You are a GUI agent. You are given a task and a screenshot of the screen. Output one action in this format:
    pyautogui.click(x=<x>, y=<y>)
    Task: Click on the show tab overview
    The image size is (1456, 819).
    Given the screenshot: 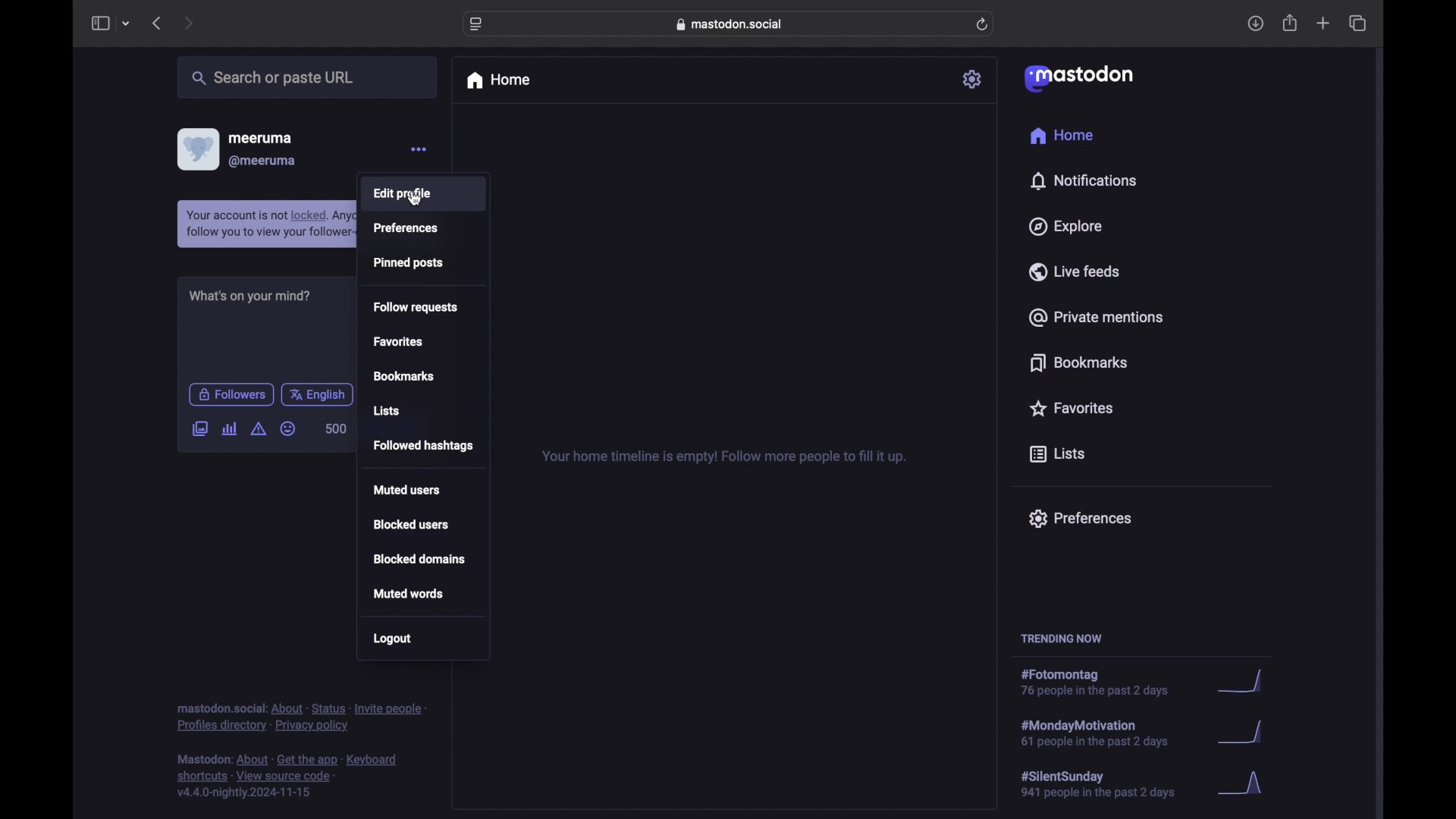 What is the action you would take?
    pyautogui.click(x=1357, y=23)
    